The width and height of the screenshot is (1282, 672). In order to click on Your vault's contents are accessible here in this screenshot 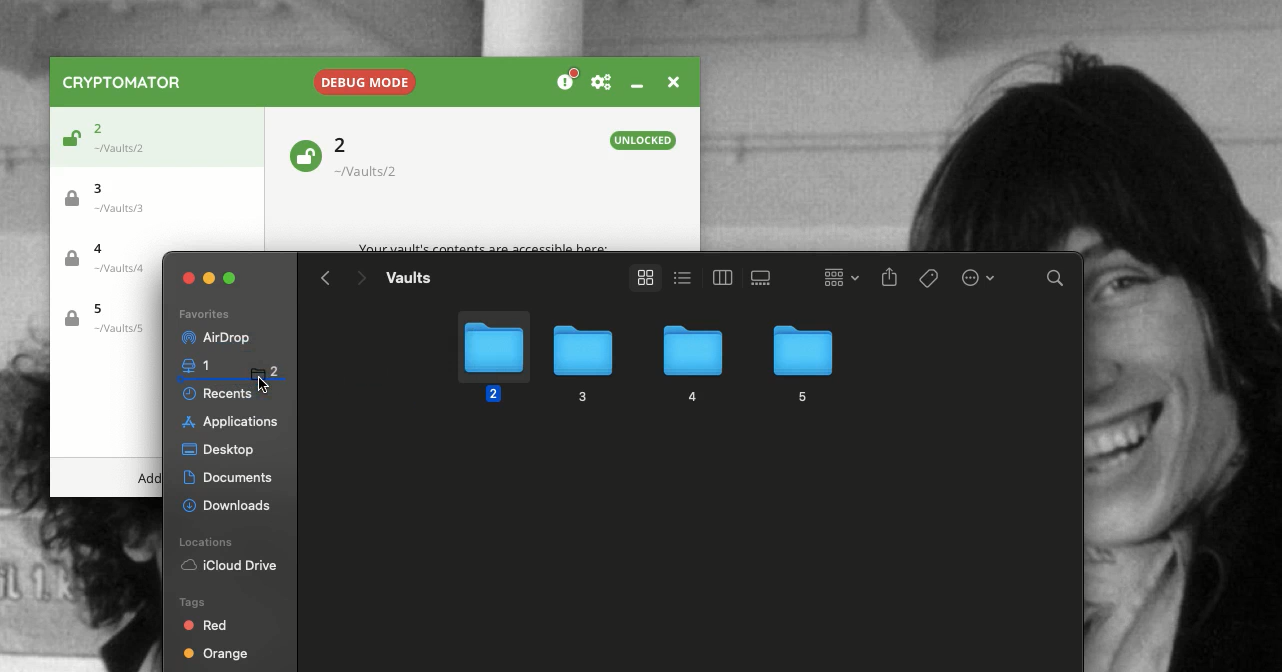, I will do `click(483, 248)`.